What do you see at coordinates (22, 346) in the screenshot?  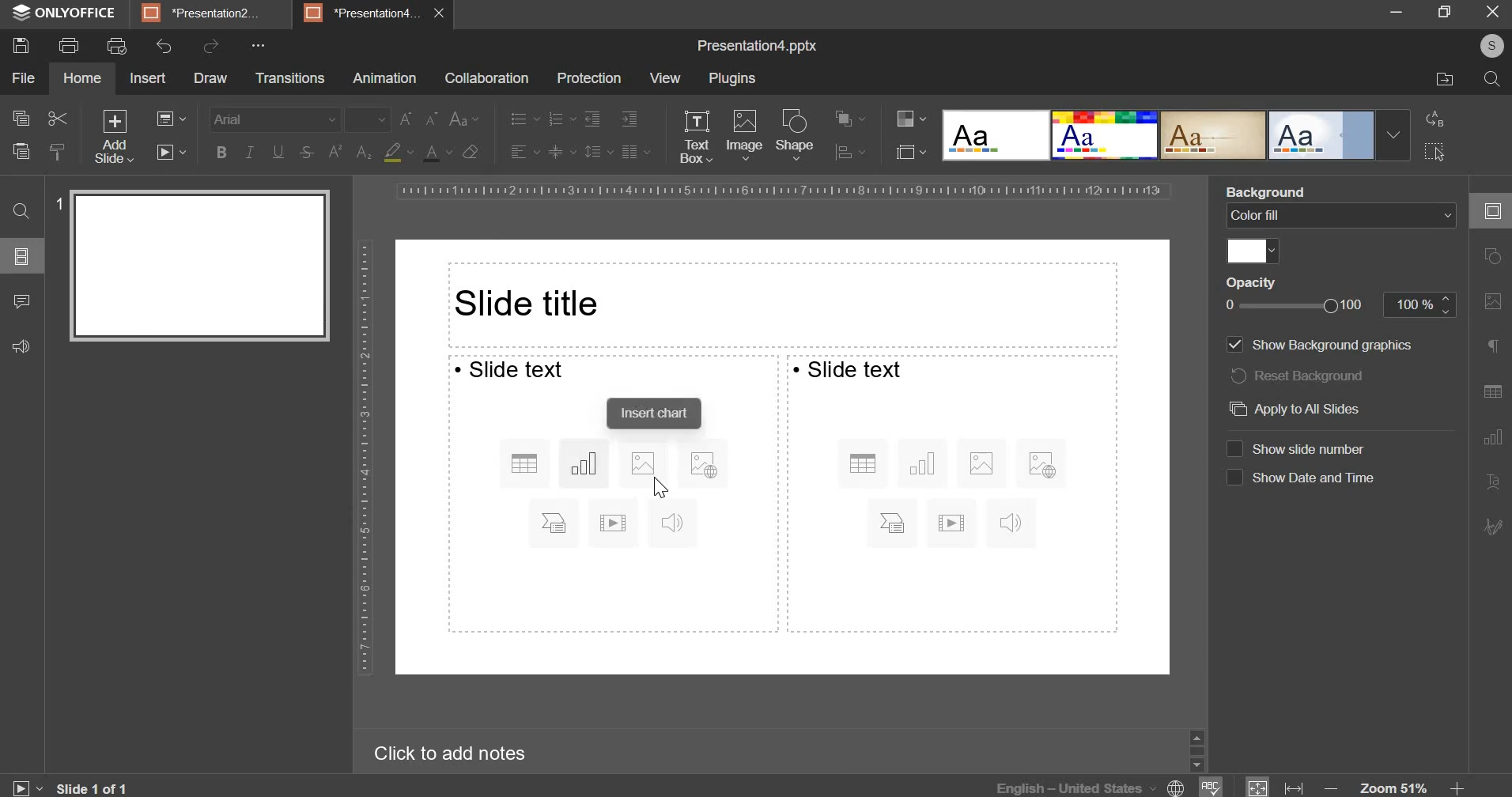 I see `feedback` at bounding box center [22, 346].